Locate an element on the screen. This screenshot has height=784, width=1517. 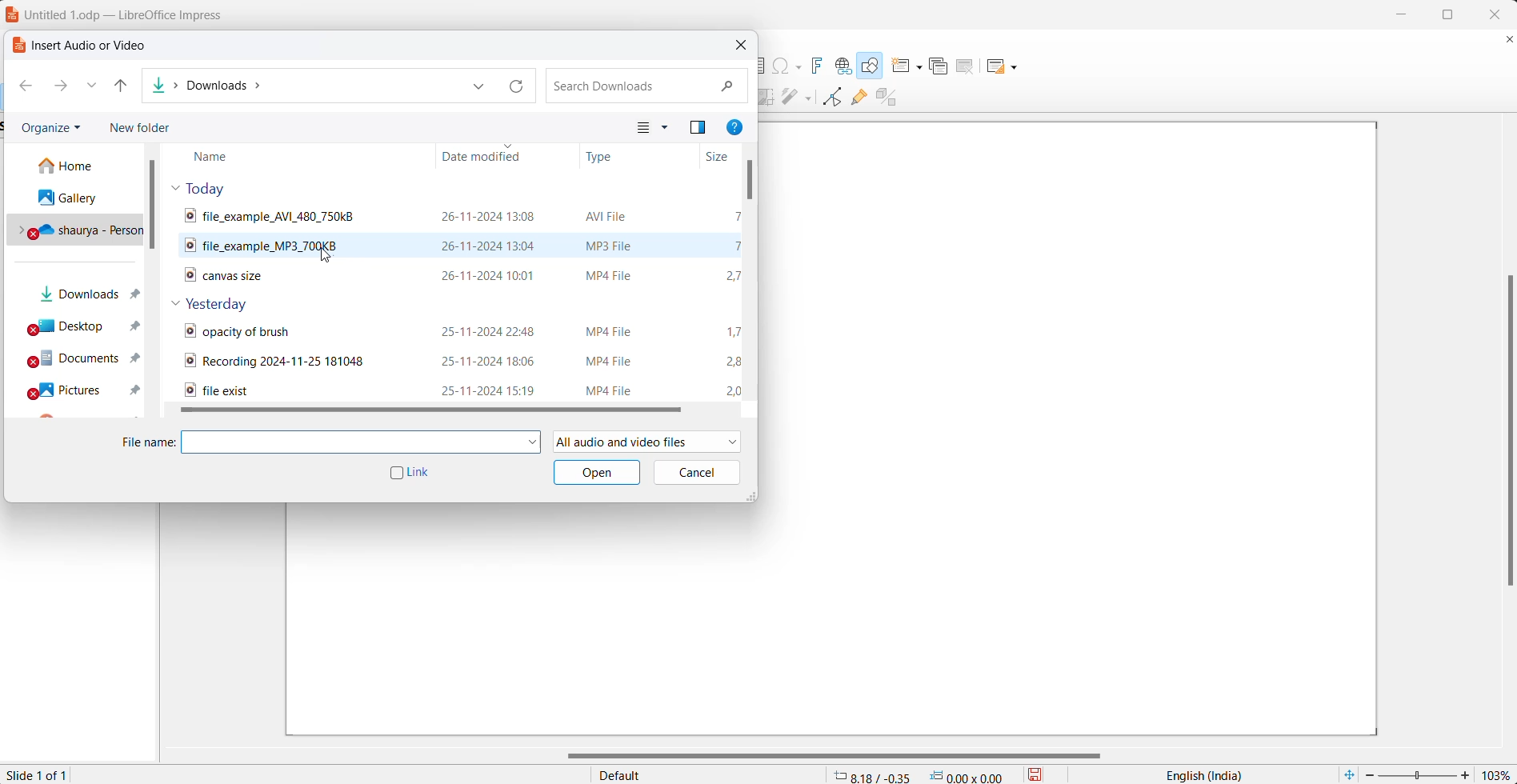
go forward is located at coordinates (62, 87).